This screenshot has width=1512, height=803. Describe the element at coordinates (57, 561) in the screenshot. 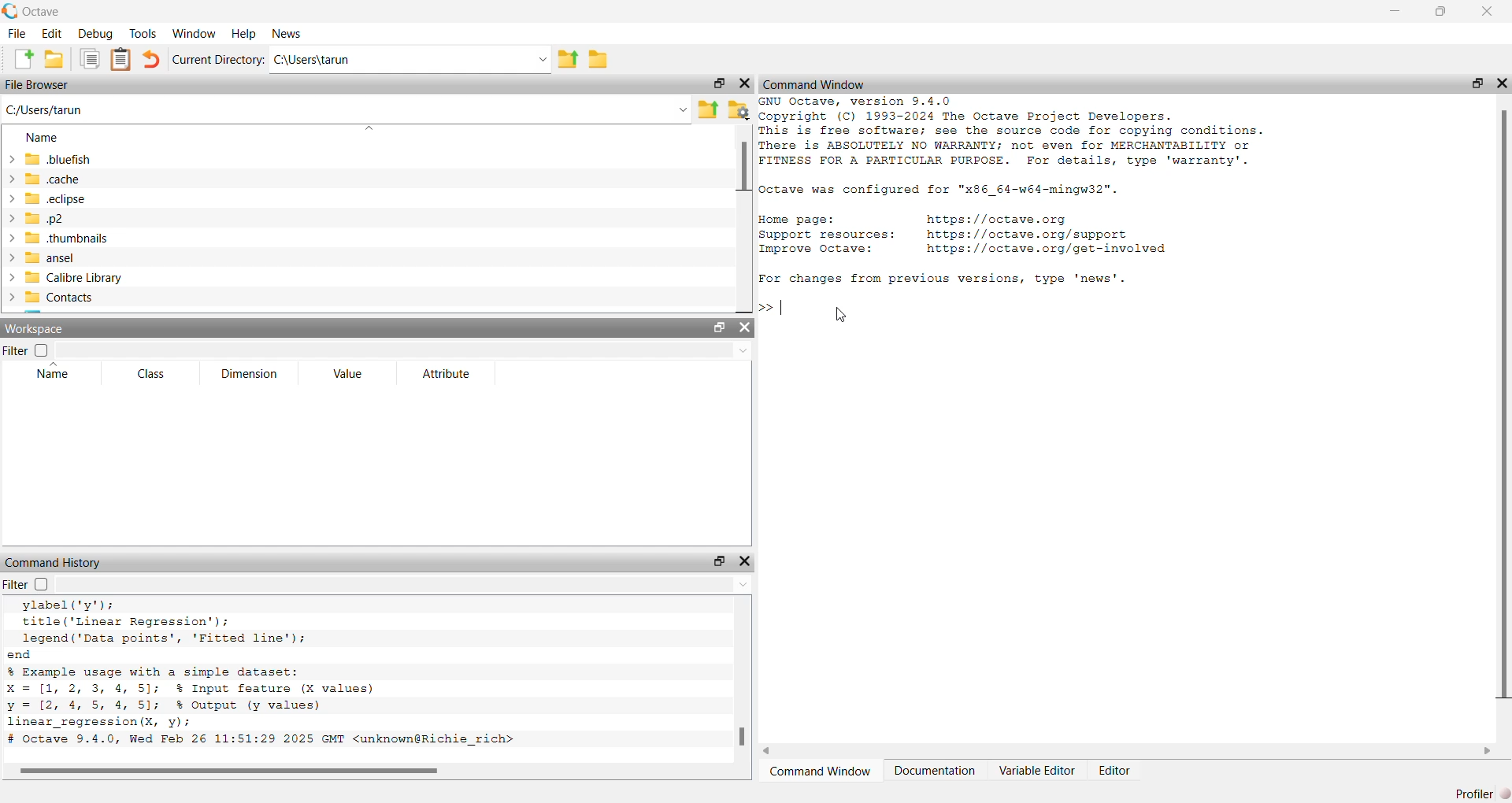

I see `command history` at that location.